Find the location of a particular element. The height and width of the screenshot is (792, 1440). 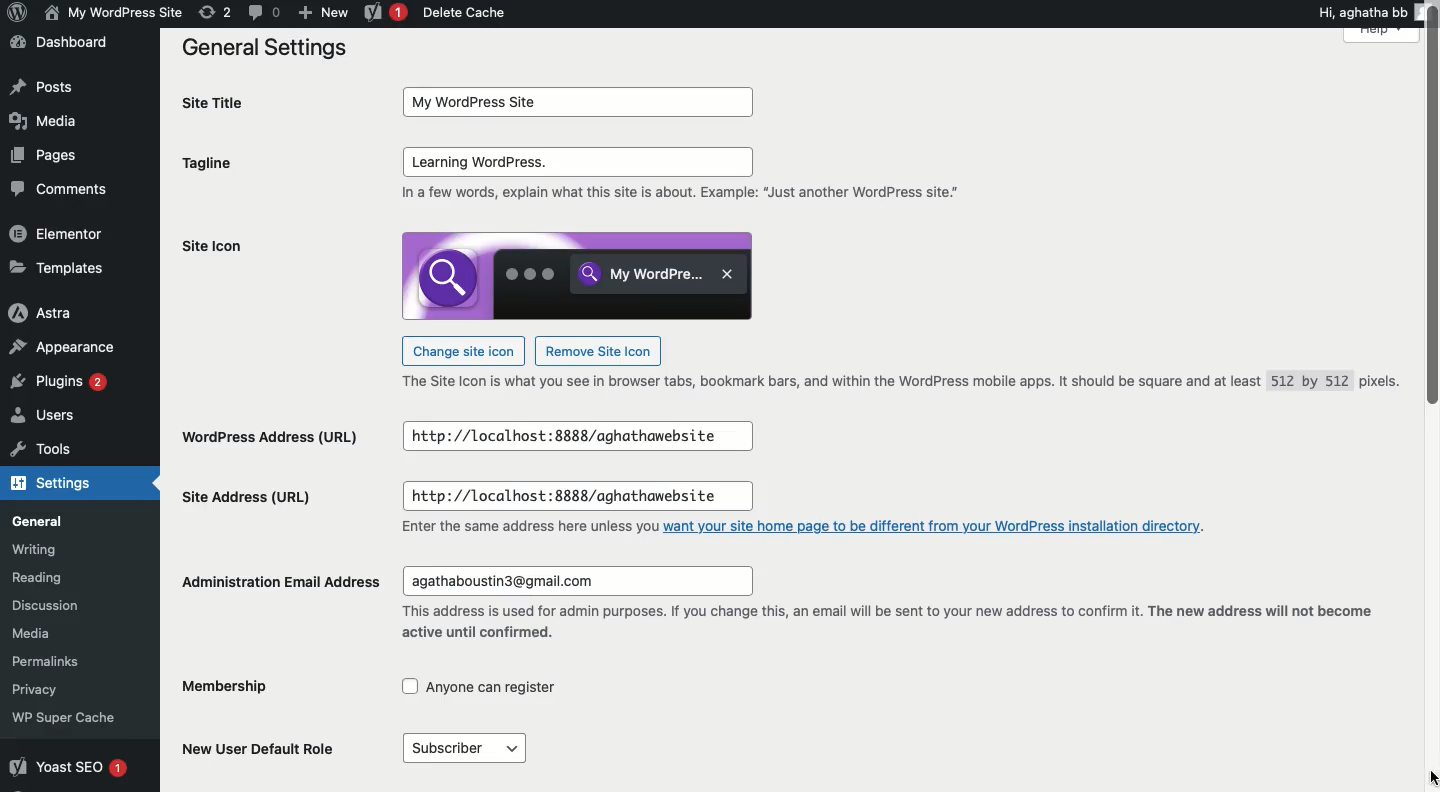

Pages is located at coordinates (47, 156).